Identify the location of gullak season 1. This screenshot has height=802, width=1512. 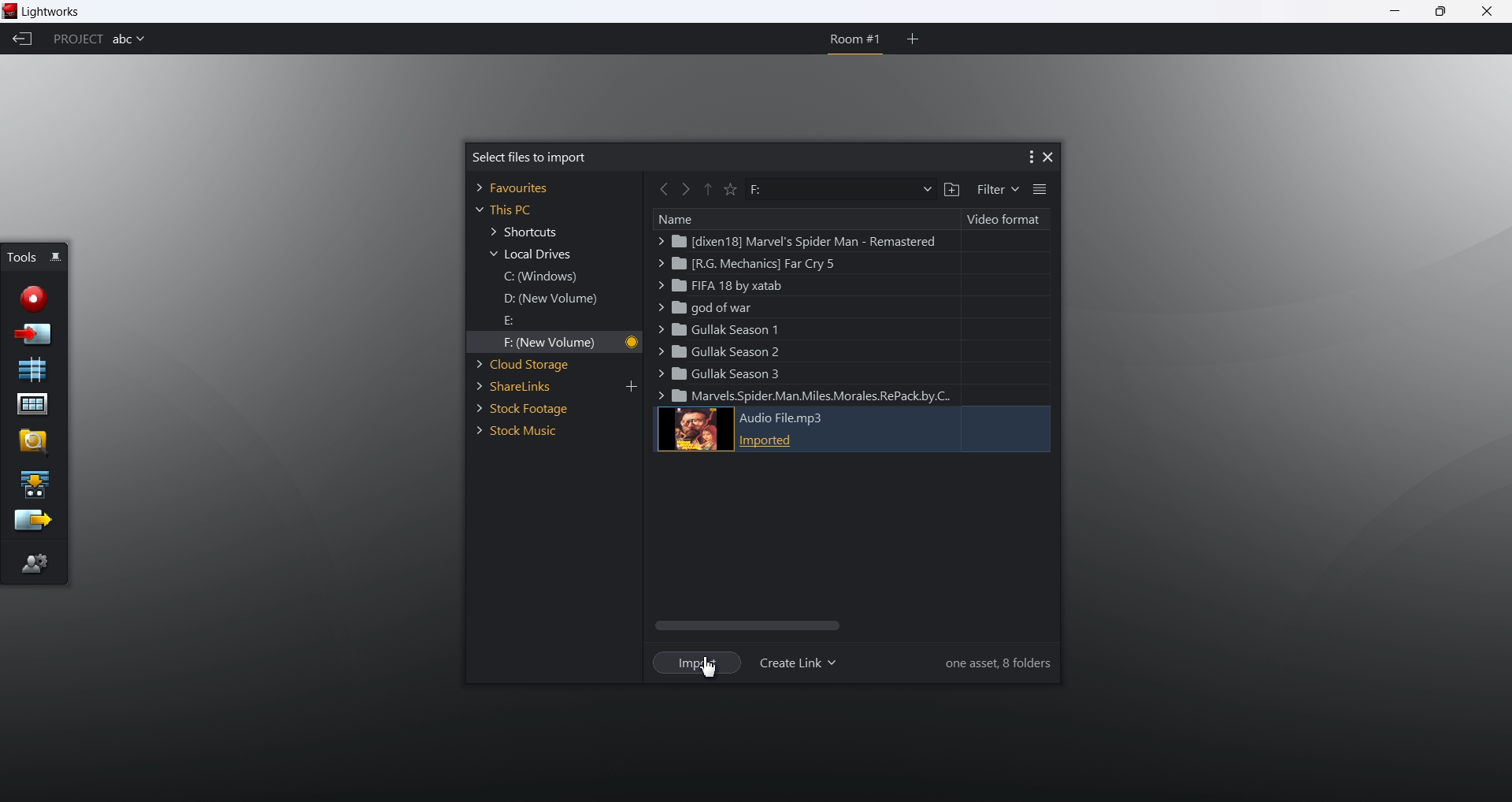
(718, 331).